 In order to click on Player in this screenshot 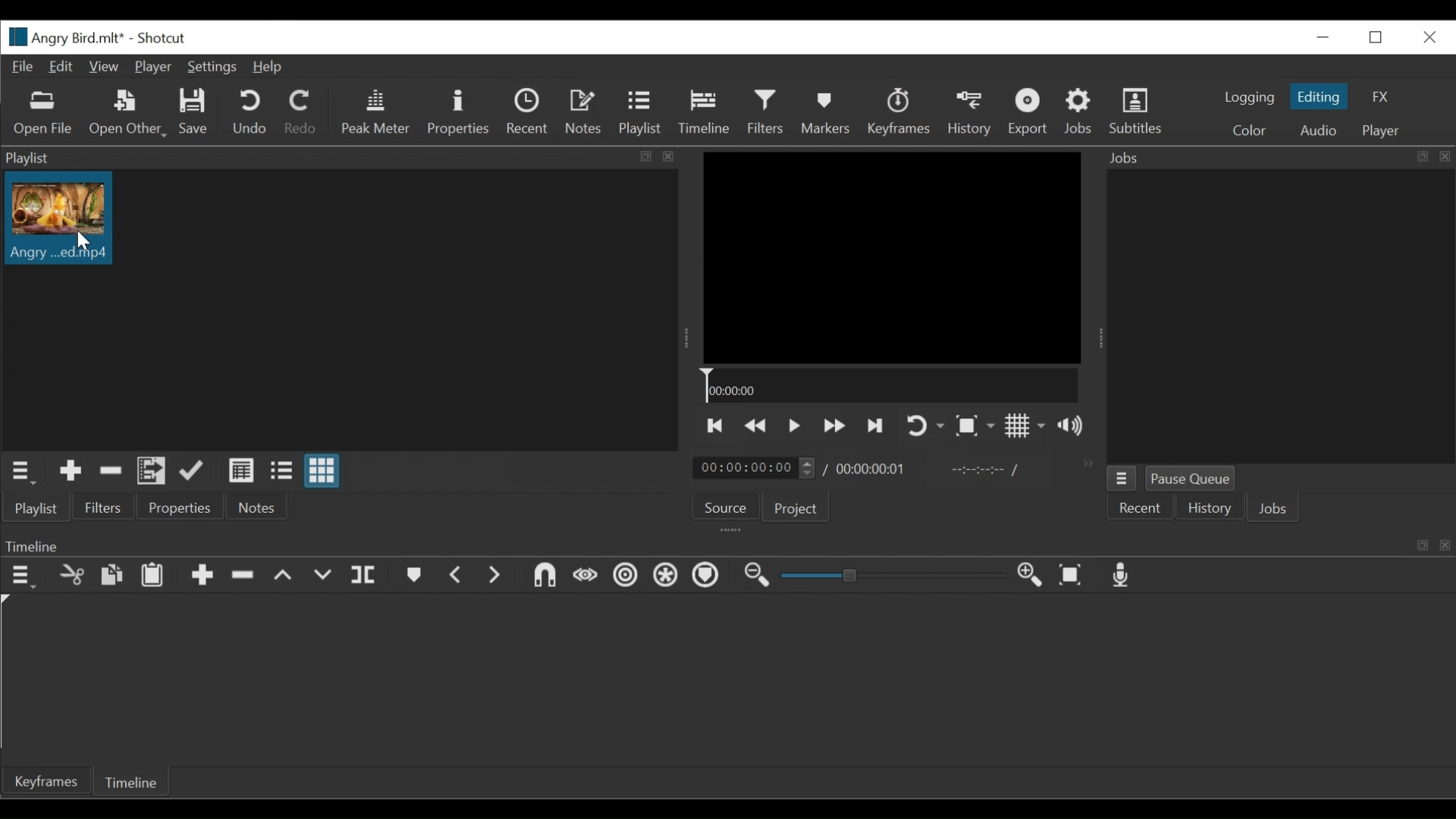, I will do `click(152, 67)`.